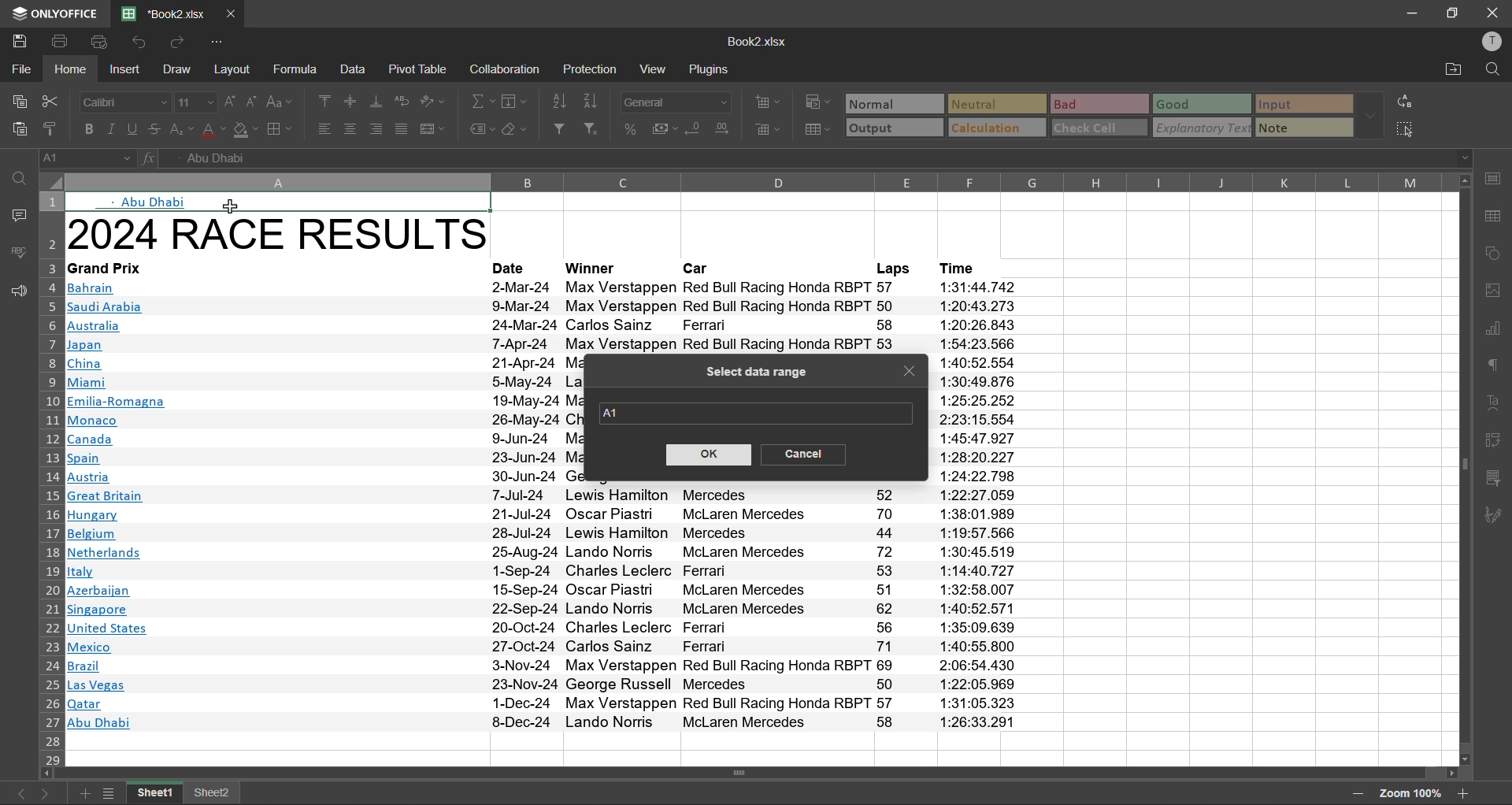 The height and width of the screenshot is (805, 1512). I want to click on number format, so click(677, 102).